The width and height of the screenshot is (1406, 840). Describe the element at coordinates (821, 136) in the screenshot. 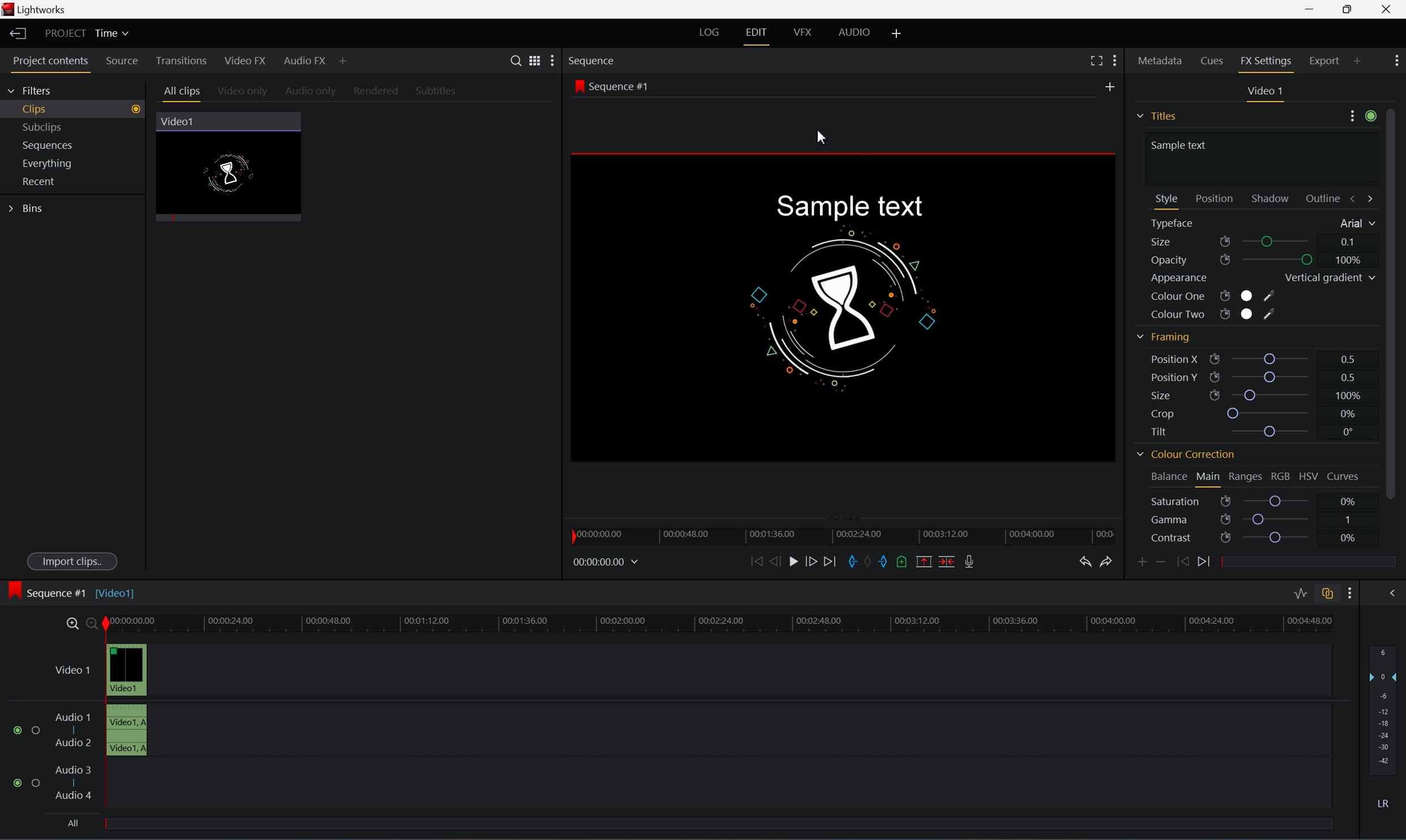

I see `cursor` at that location.